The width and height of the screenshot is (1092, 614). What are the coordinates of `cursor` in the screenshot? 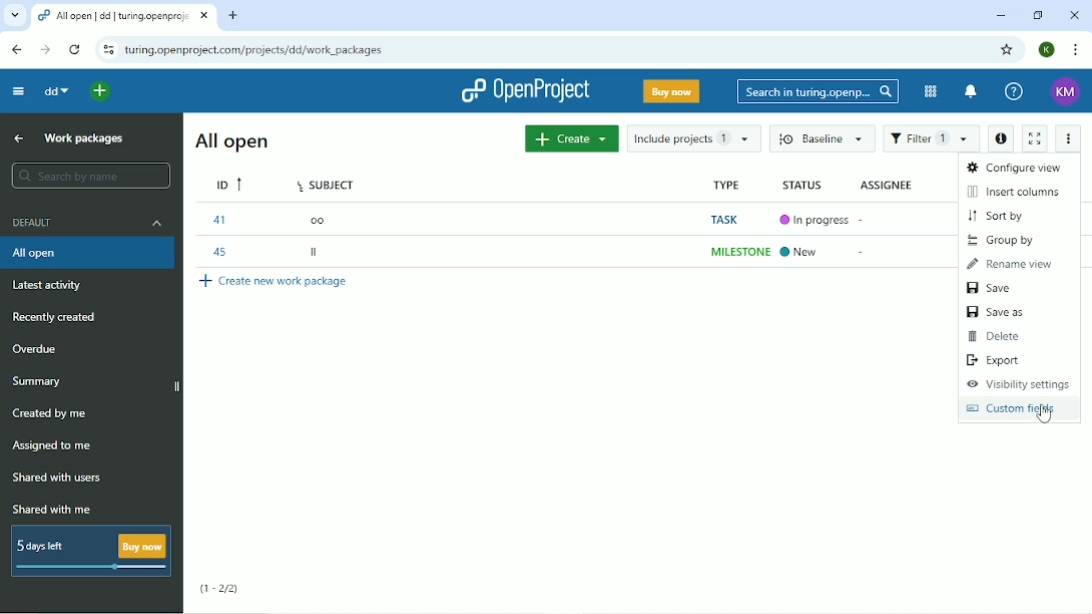 It's located at (1046, 414).